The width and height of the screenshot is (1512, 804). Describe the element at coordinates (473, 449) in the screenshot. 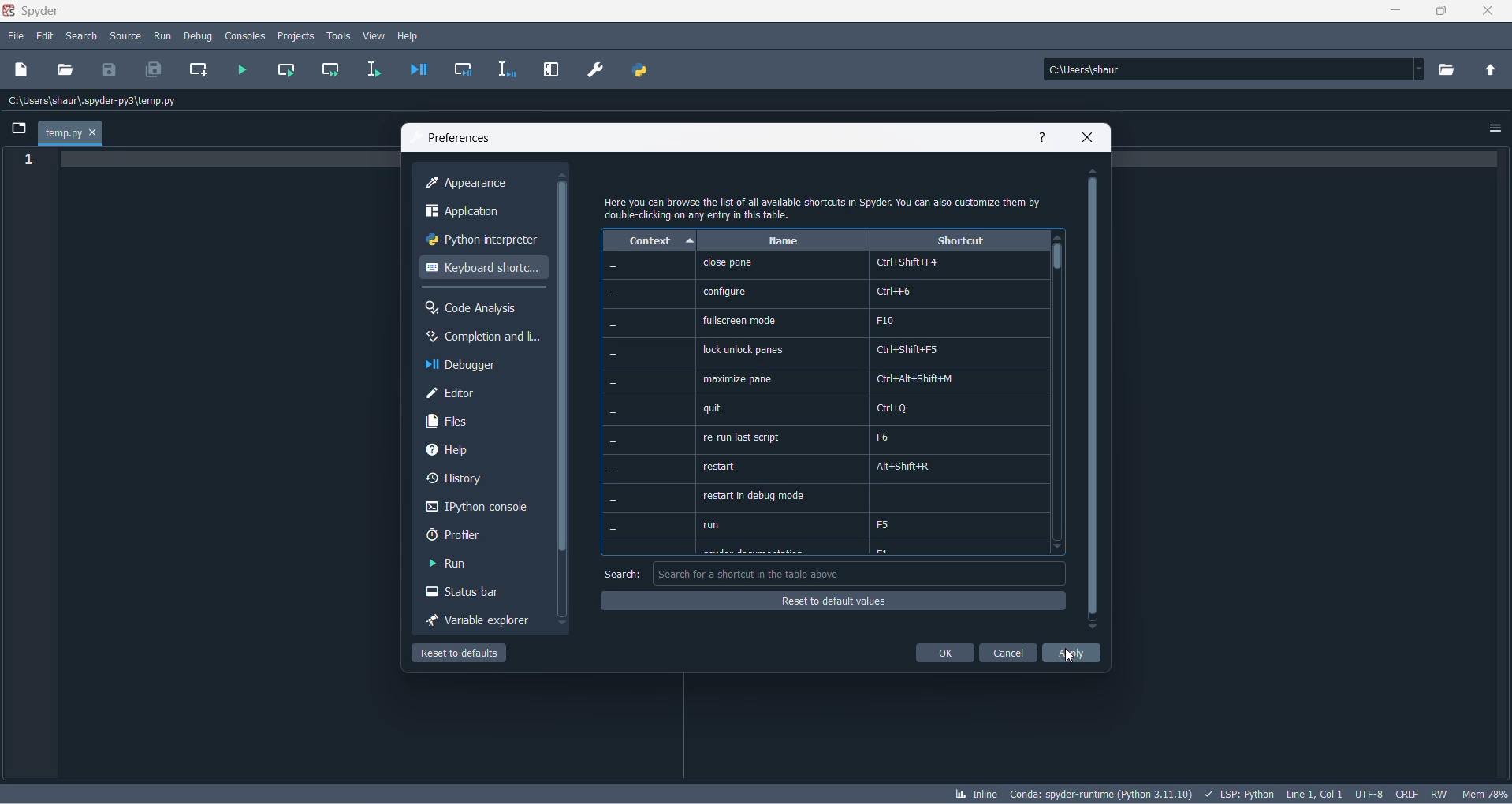

I see `help` at that location.